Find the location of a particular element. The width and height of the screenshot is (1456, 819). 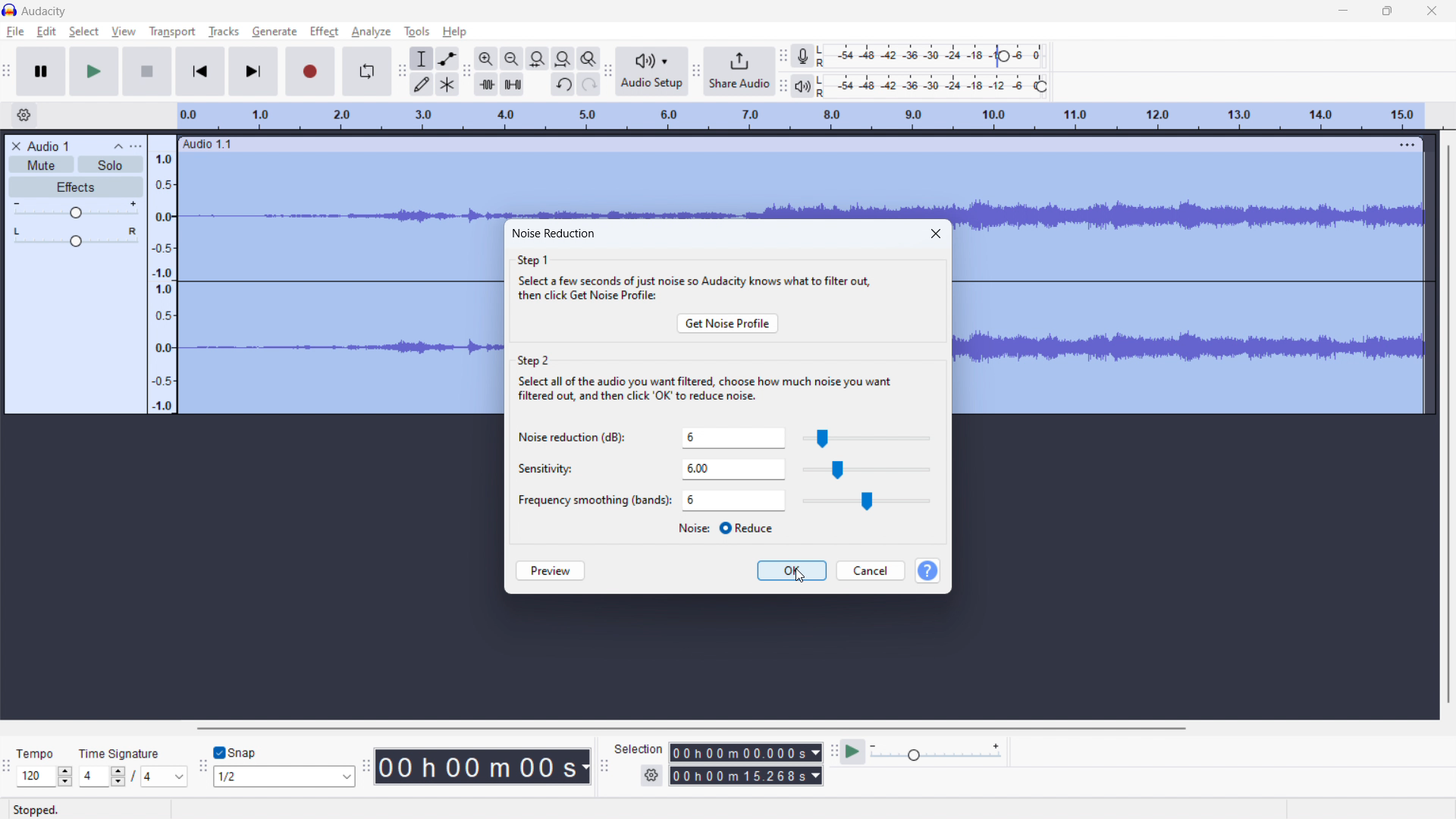

edit is located at coordinates (47, 32).